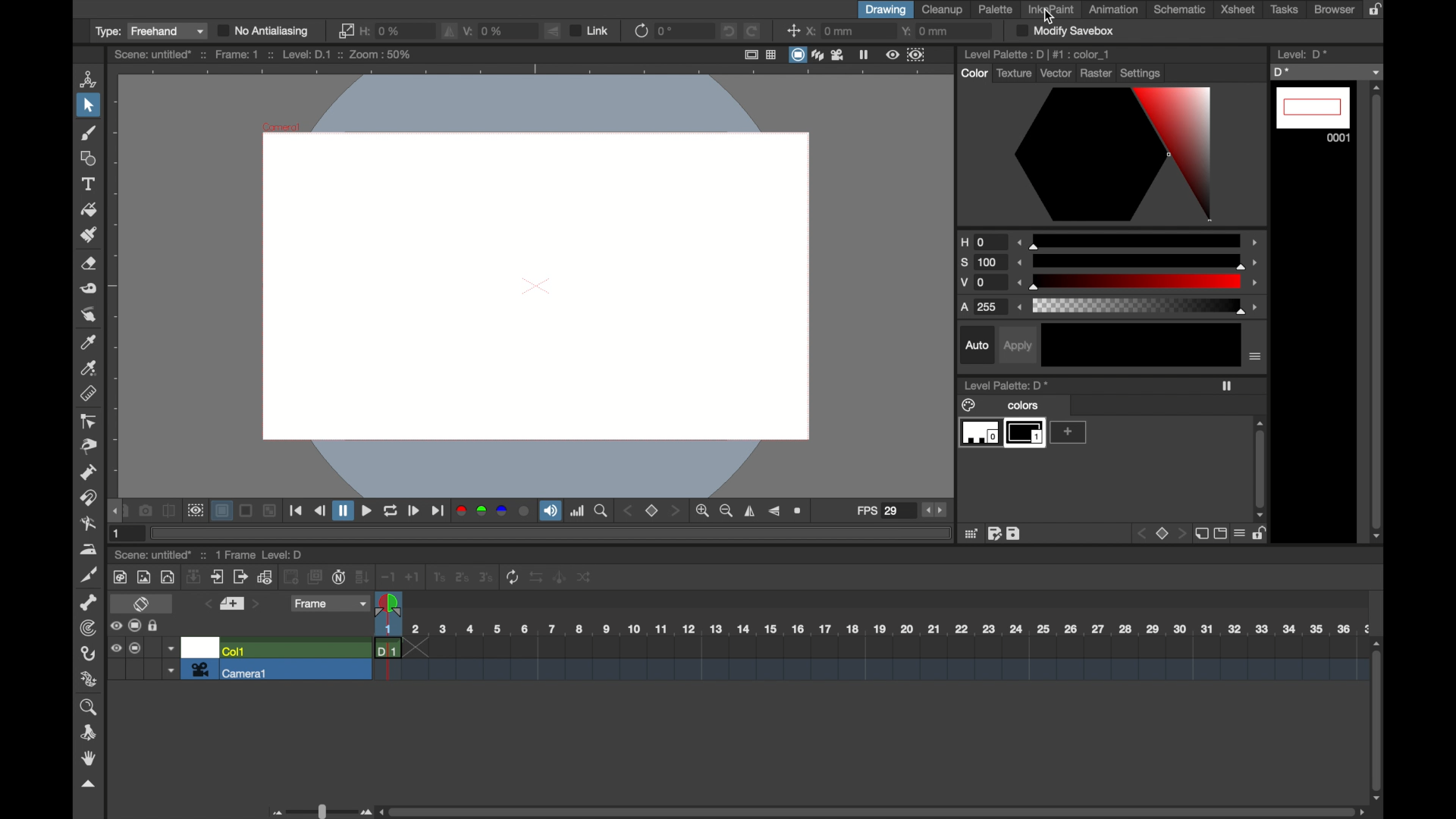 This screenshot has height=819, width=1456. I want to click on zoom, so click(90, 707).